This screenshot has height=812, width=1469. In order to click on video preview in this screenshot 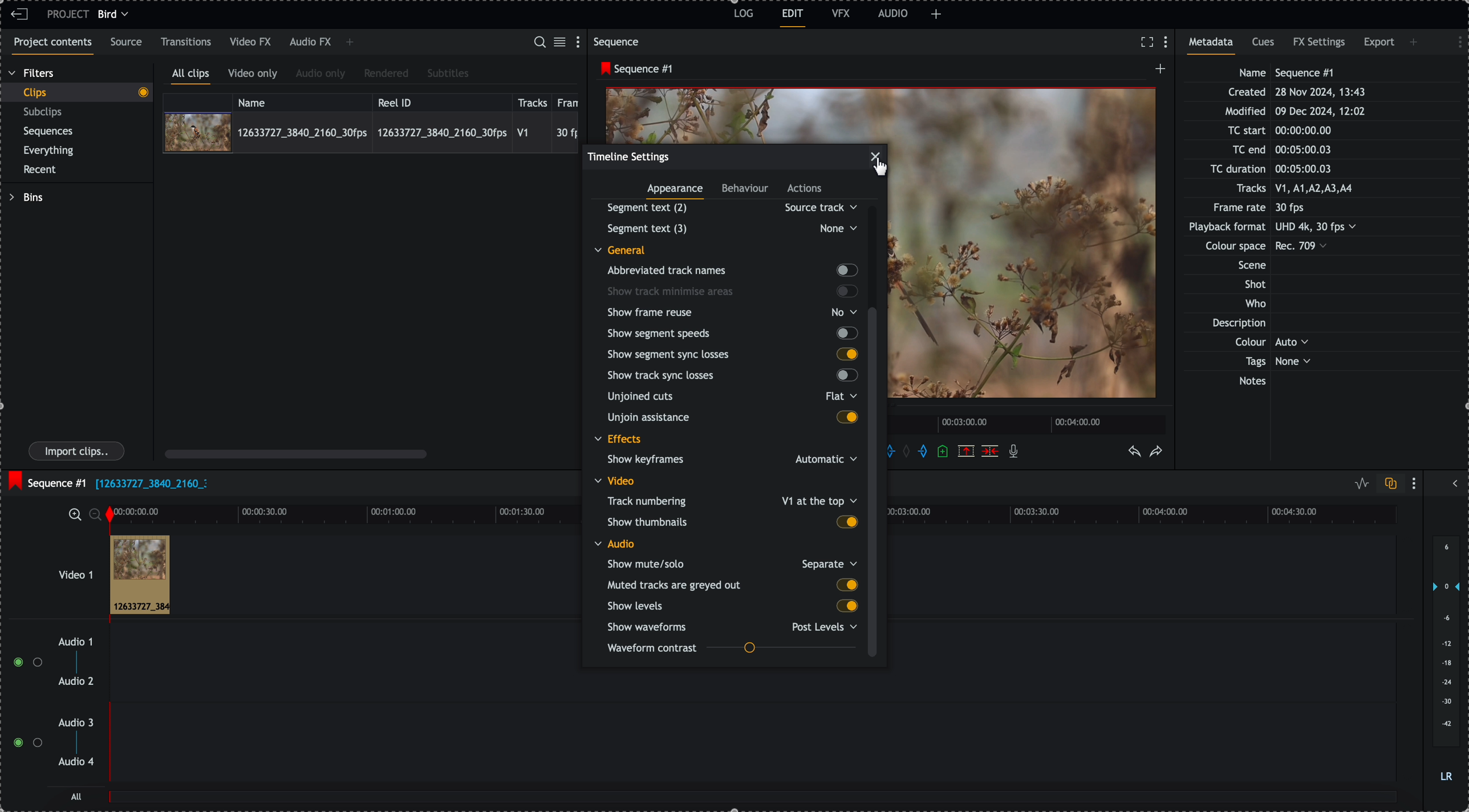, I will do `click(746, 113)`.